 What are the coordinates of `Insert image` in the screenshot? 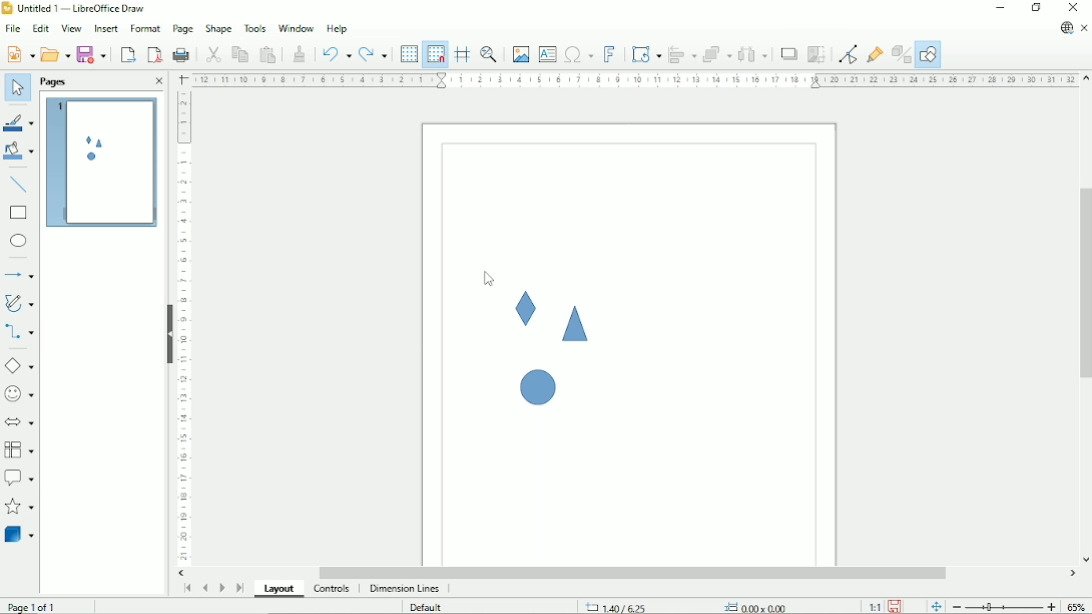 It's located at (521, 55).